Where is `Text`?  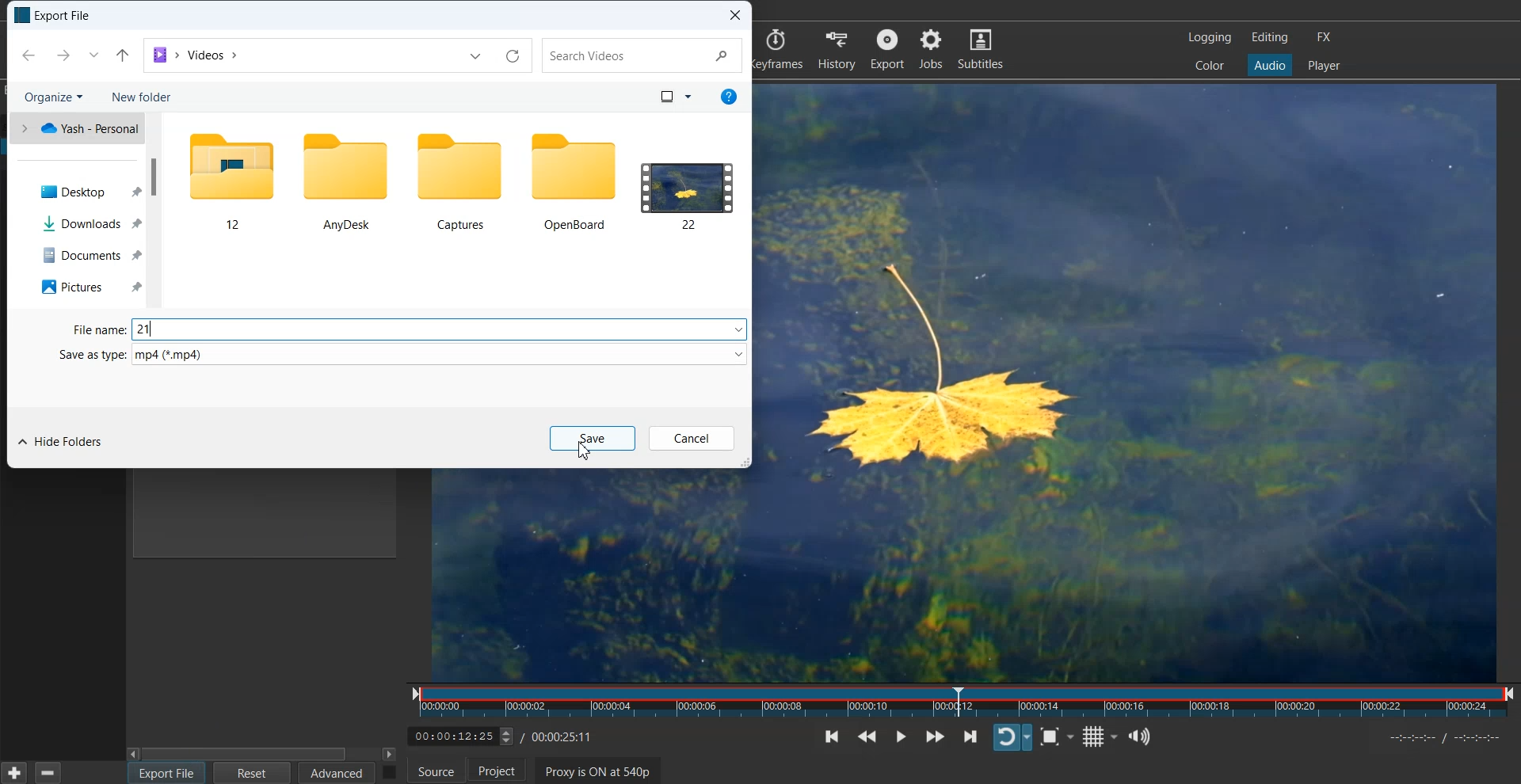
Text is located at coordinates (438, 327).